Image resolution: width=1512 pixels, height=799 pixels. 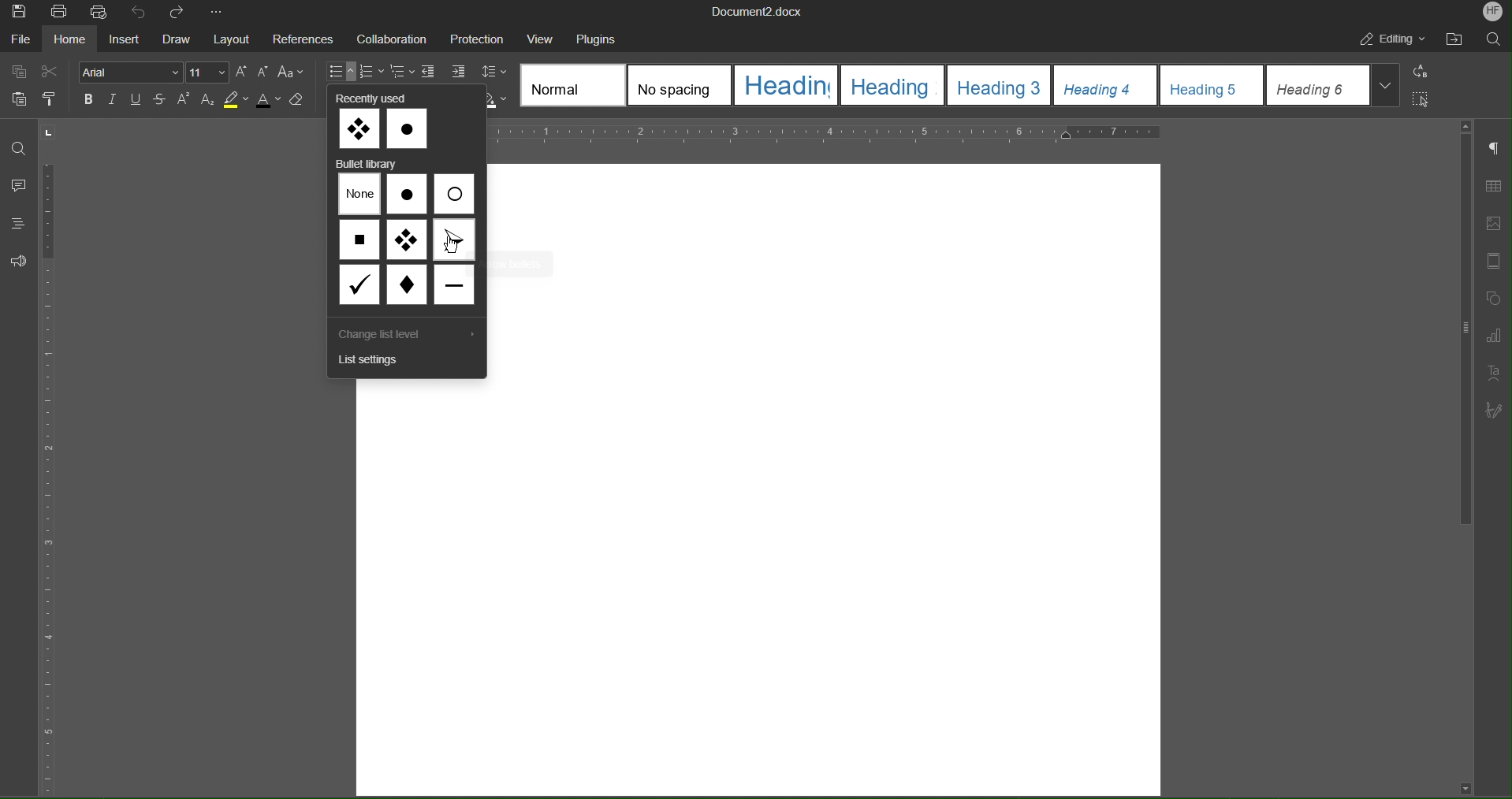 I want to click on Italics, so click(x=114, y=99).